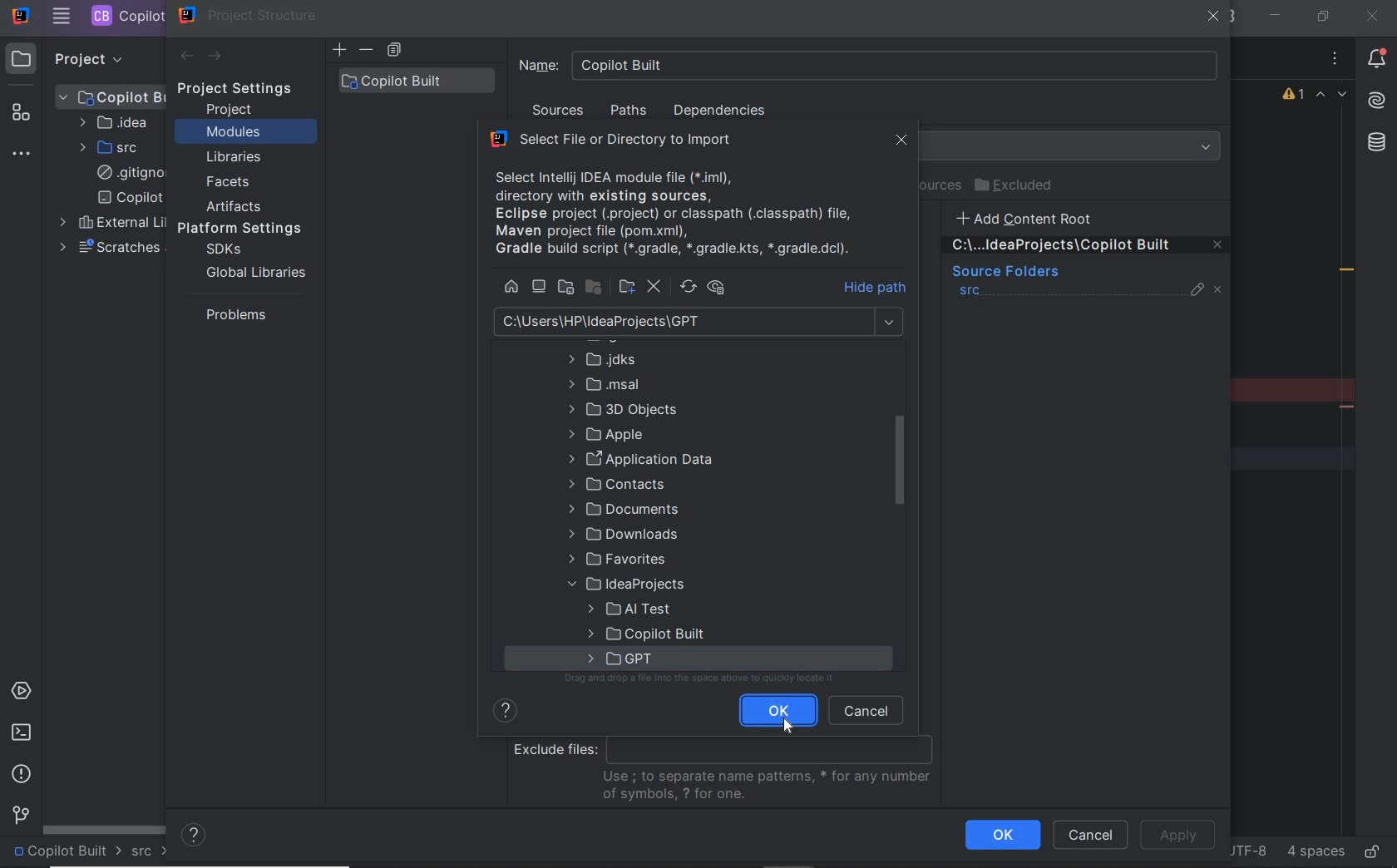  I want to click on minimize, so click(1276, 16).